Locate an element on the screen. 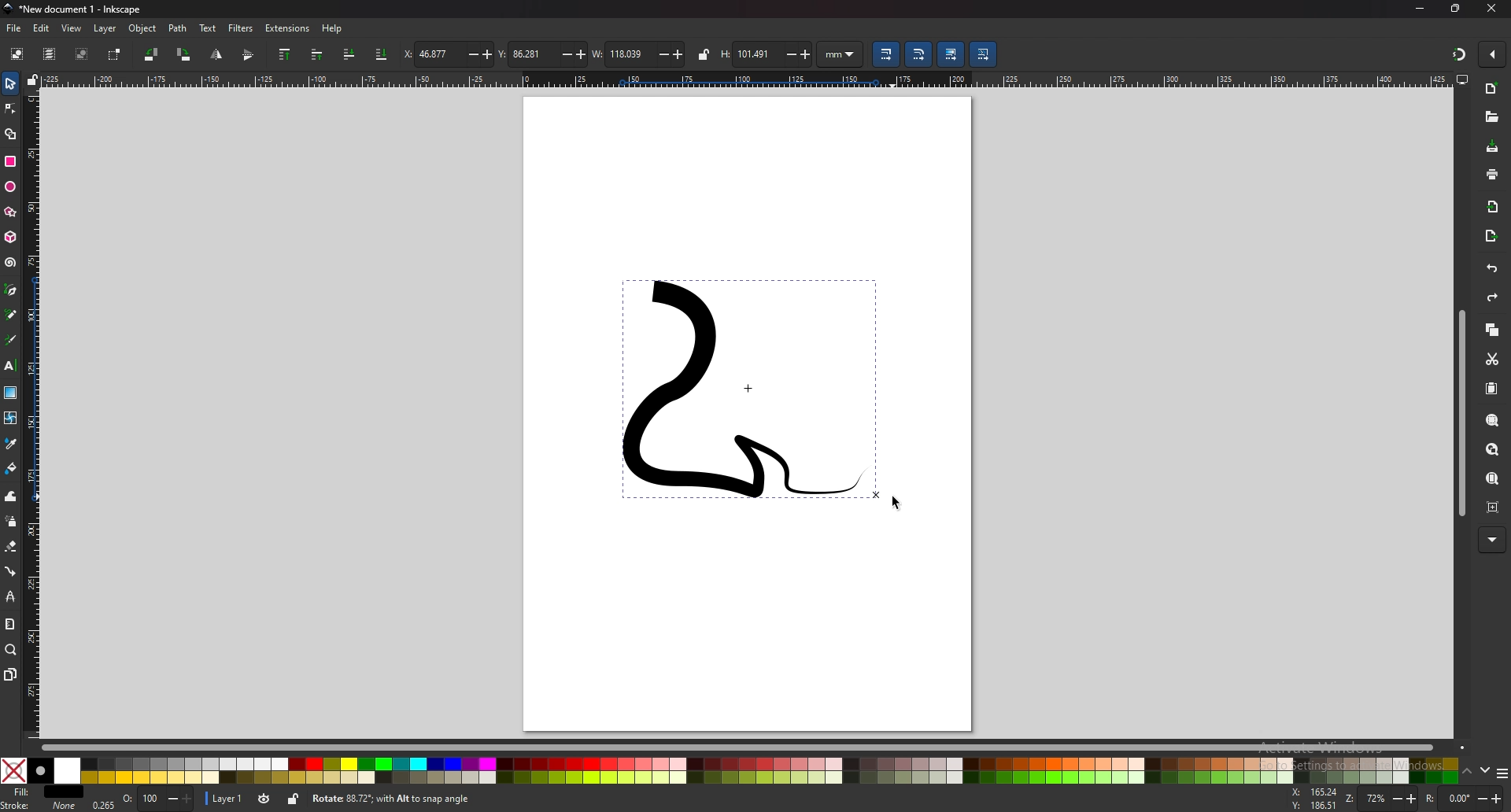 This screenshot has height=812, width=1511. layer is located at coordinates (225, 798).